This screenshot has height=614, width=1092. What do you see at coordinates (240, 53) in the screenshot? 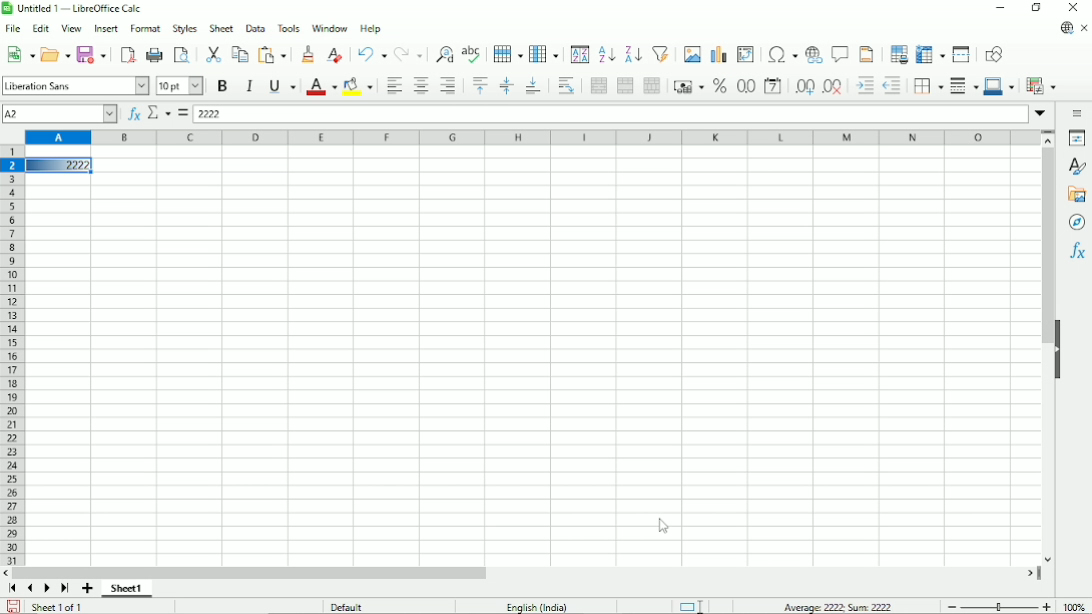
I see `Copy` at bounding box center [240, 53].